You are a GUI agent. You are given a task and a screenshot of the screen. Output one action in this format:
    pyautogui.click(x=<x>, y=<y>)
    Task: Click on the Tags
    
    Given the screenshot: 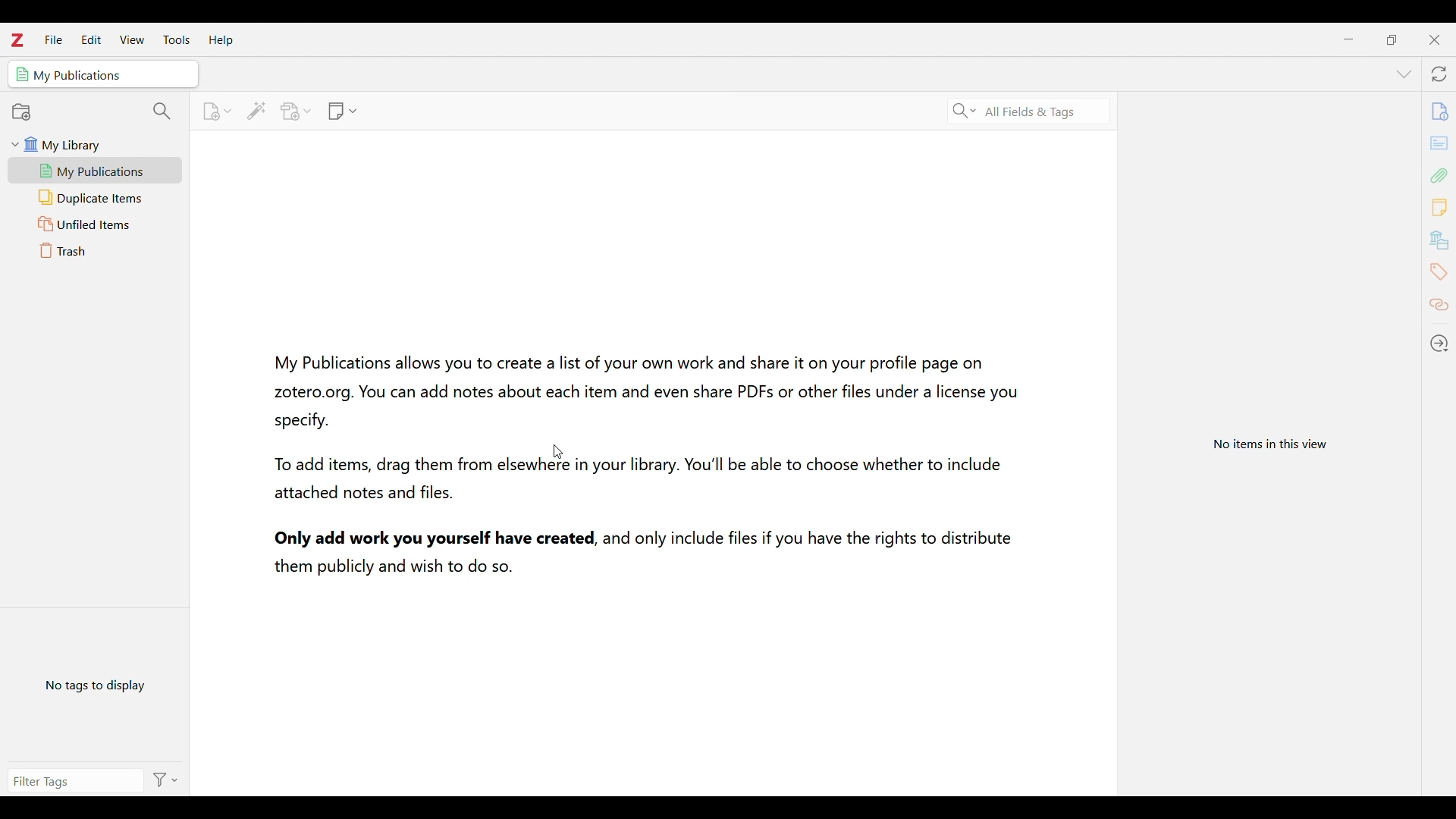 What is the action you would take?
    pyautogui.click(x=1439, y=271)
    